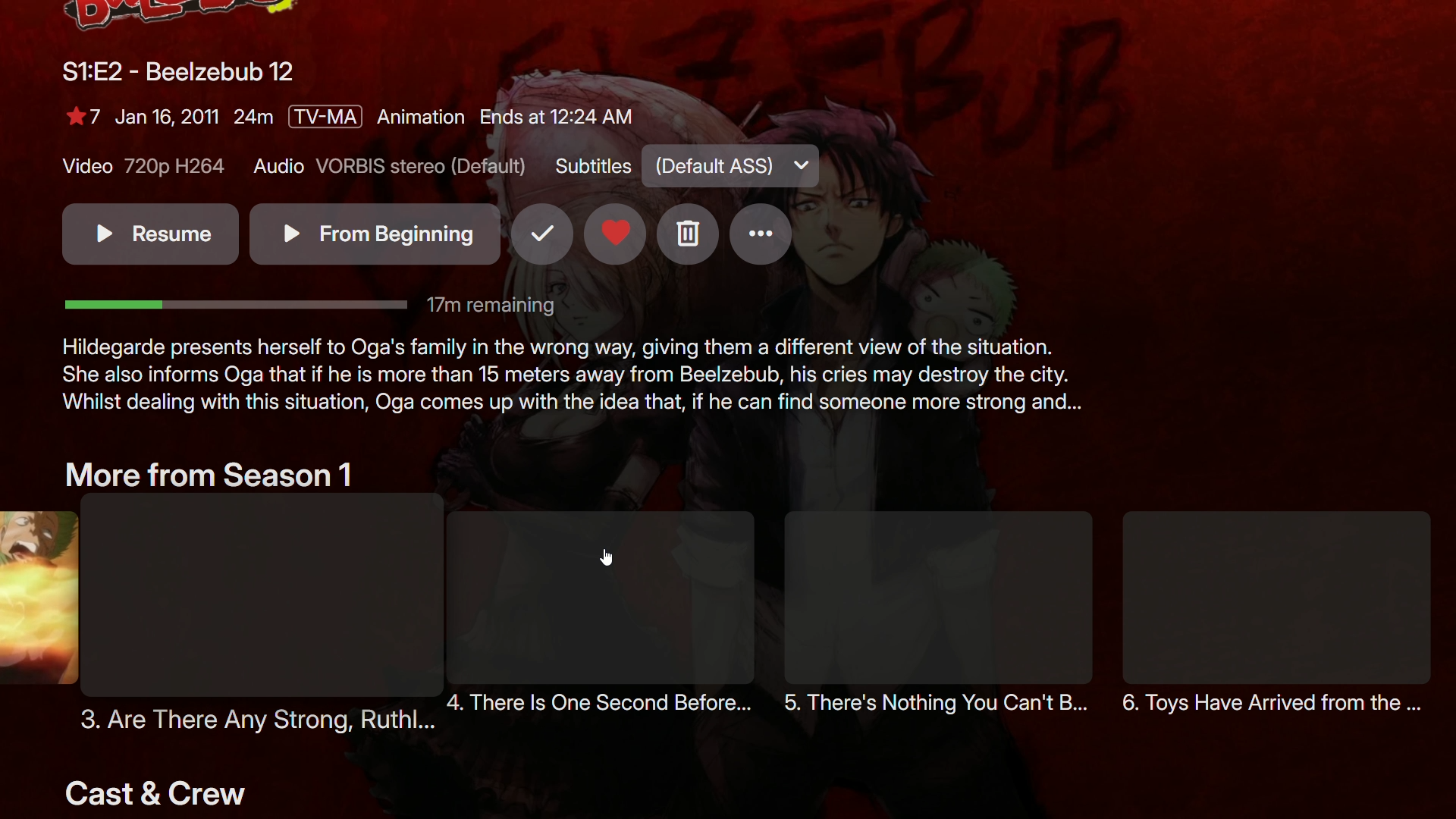 This screenshot has width=1456, height=819. I want to click on Logo, so click(180, 19).